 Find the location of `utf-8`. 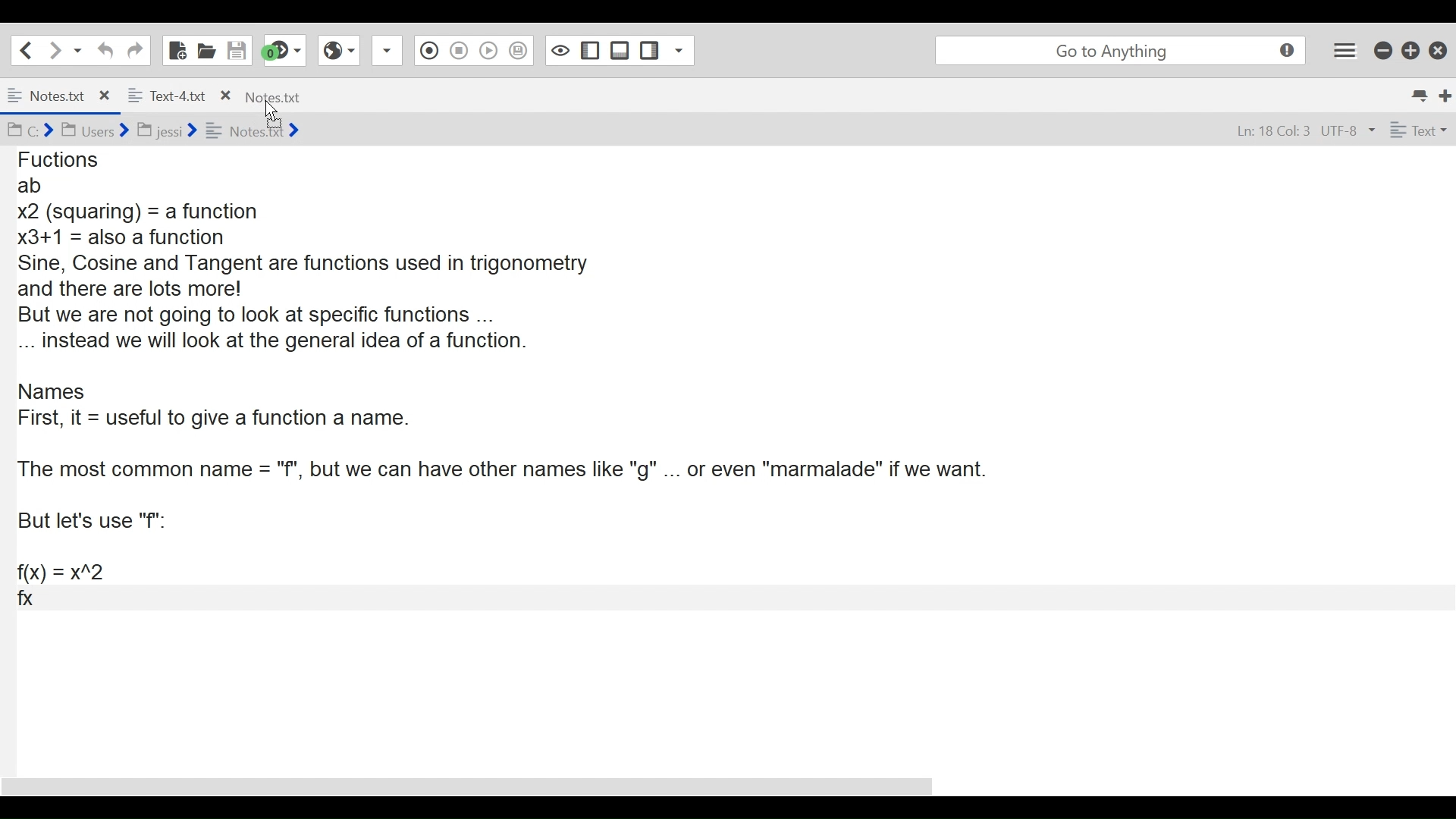

utf-8 is located at coordinates (1348, 131).